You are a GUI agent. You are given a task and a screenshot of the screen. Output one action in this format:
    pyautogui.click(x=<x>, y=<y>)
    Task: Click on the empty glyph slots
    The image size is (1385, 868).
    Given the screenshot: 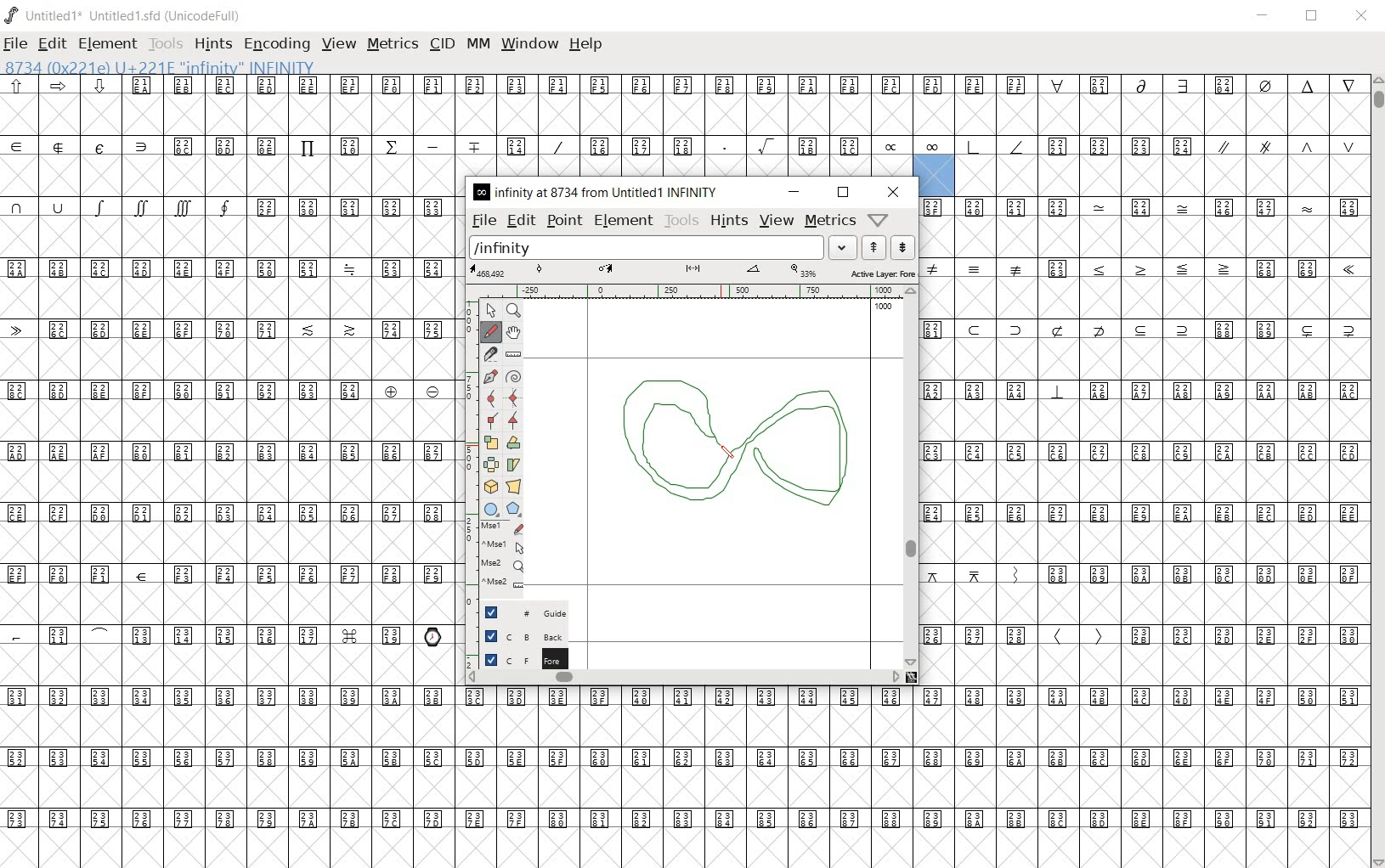 What is the action you would take?
    pyautogui.click(x=230, y=543)
    